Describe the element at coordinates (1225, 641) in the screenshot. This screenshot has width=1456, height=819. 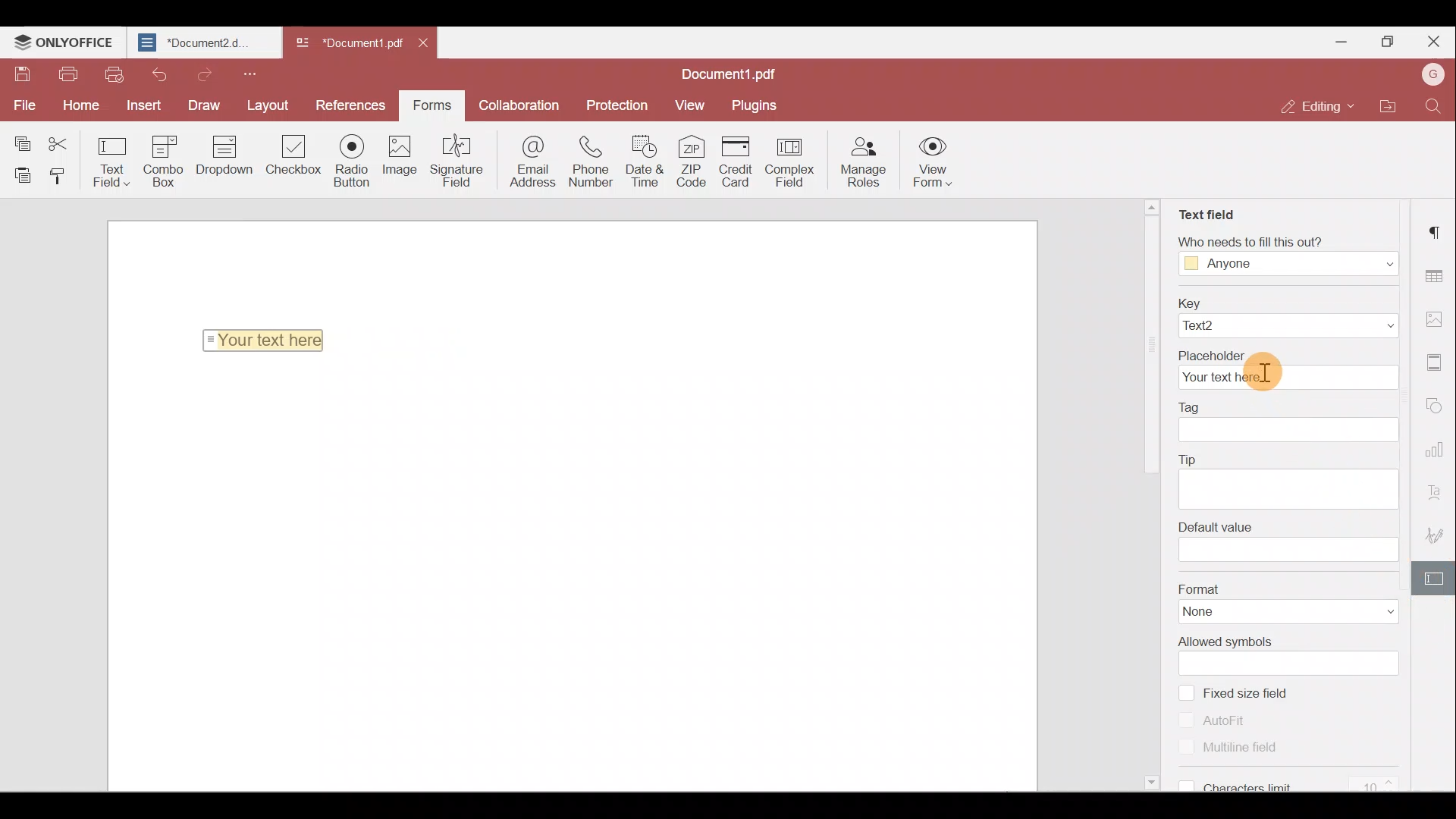
I see `Allowed symbols` at that location.